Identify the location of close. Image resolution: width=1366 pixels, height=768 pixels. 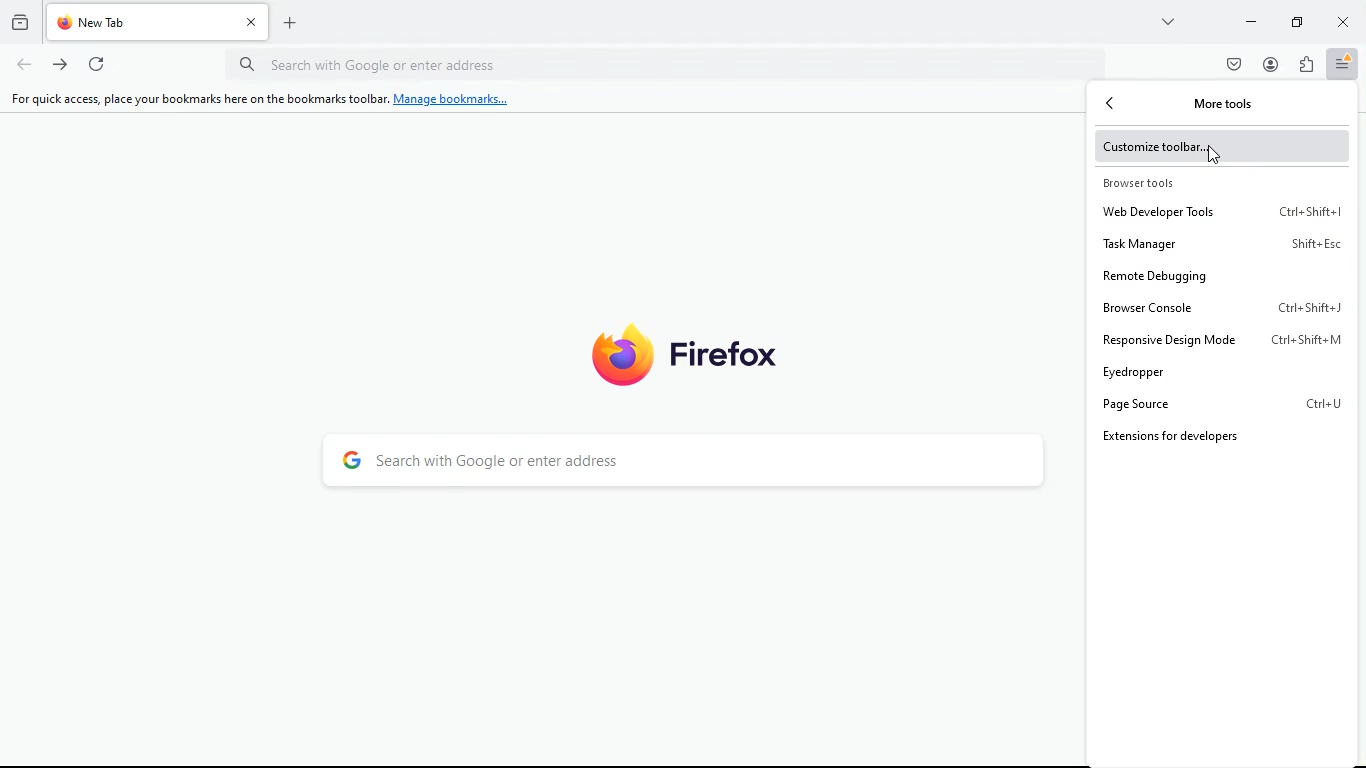
(1345, 25).